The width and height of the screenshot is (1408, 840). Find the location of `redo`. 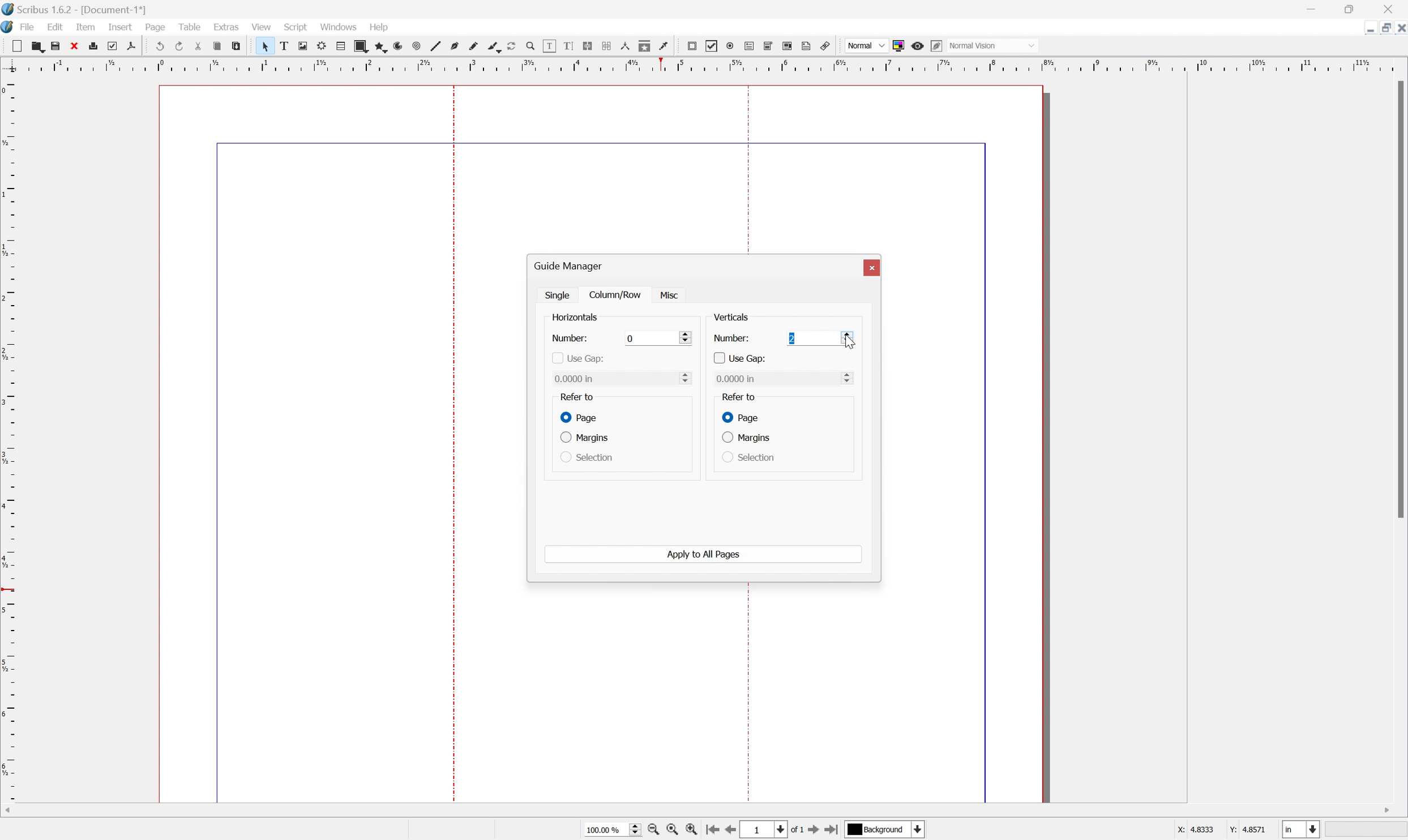

redo is located at coordinates (179, 46).